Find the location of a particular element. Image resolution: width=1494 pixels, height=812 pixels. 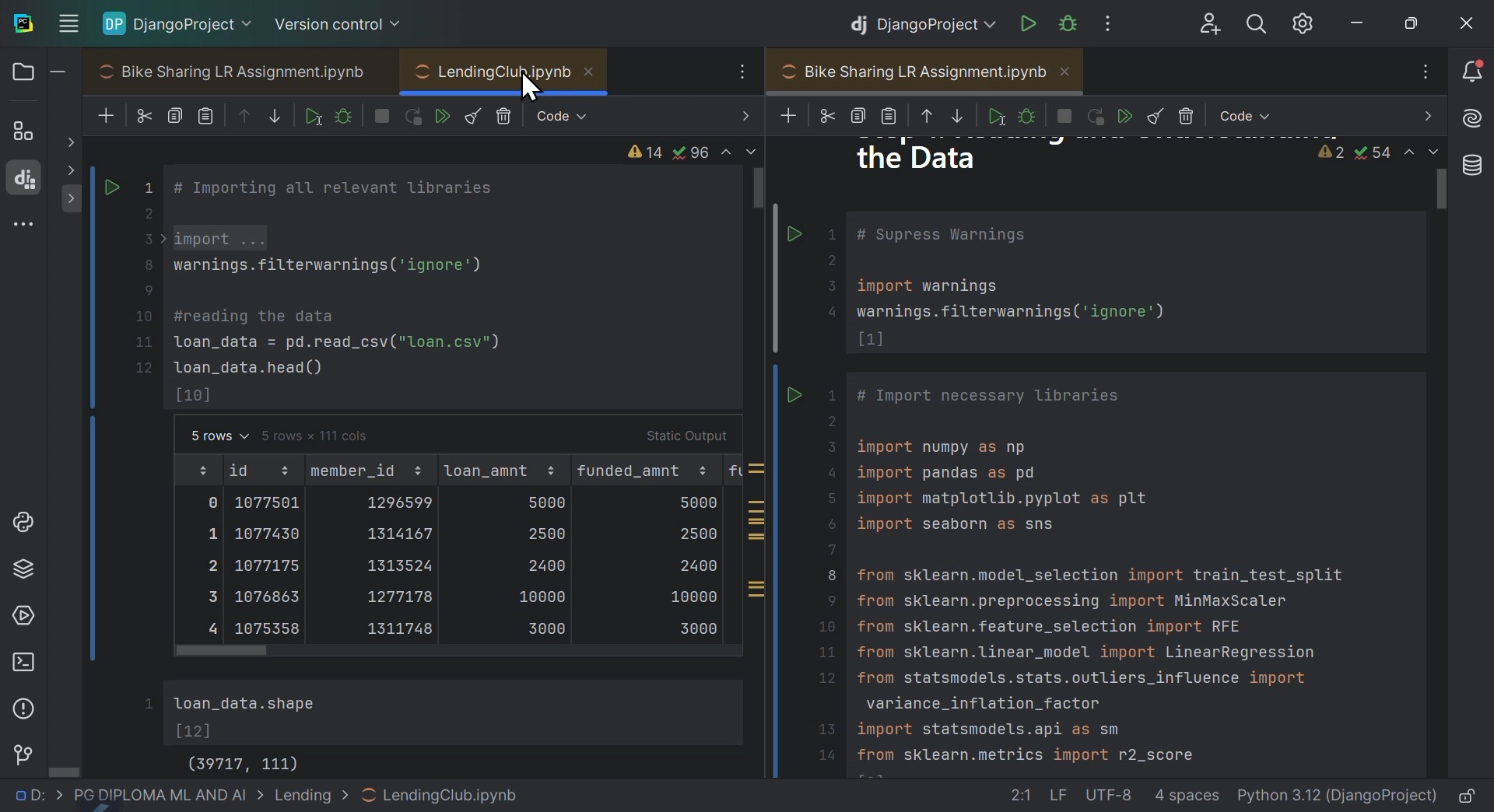

show is located at coordinates (68, 145).